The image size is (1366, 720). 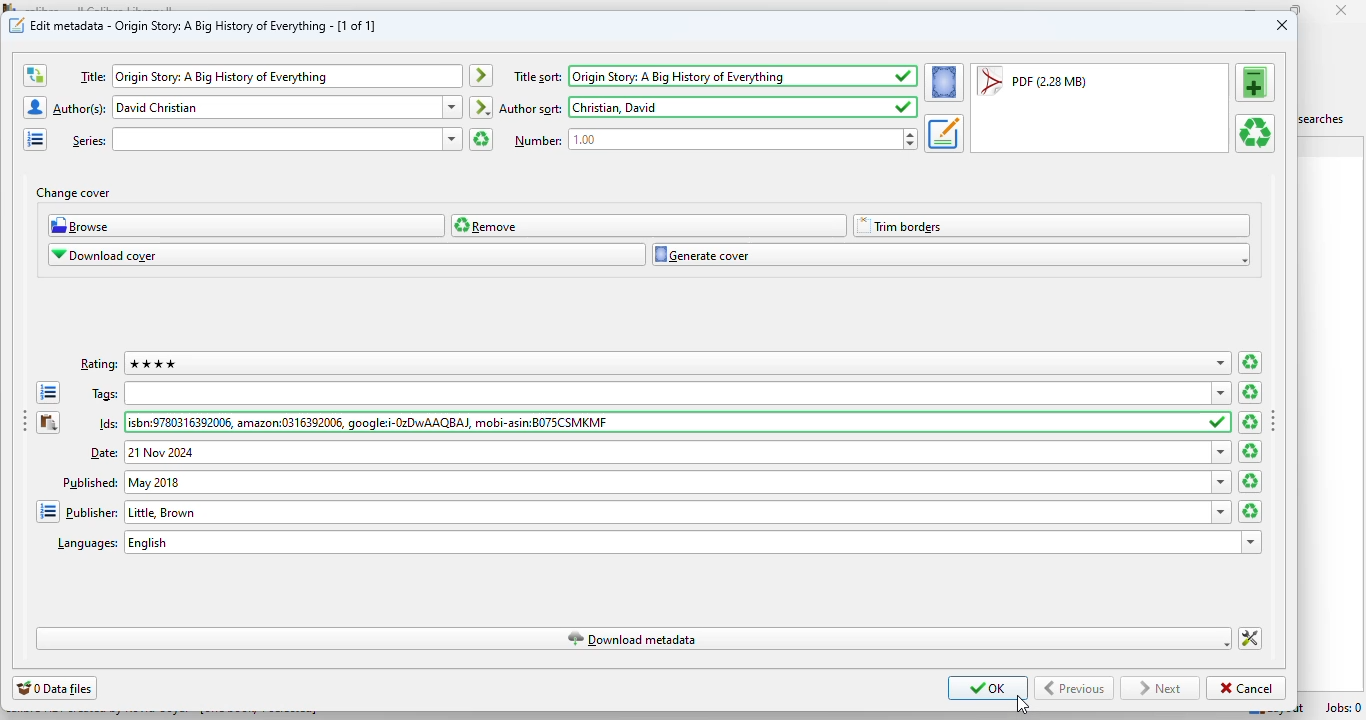 I want to click on text, so click(x=105, y=395).